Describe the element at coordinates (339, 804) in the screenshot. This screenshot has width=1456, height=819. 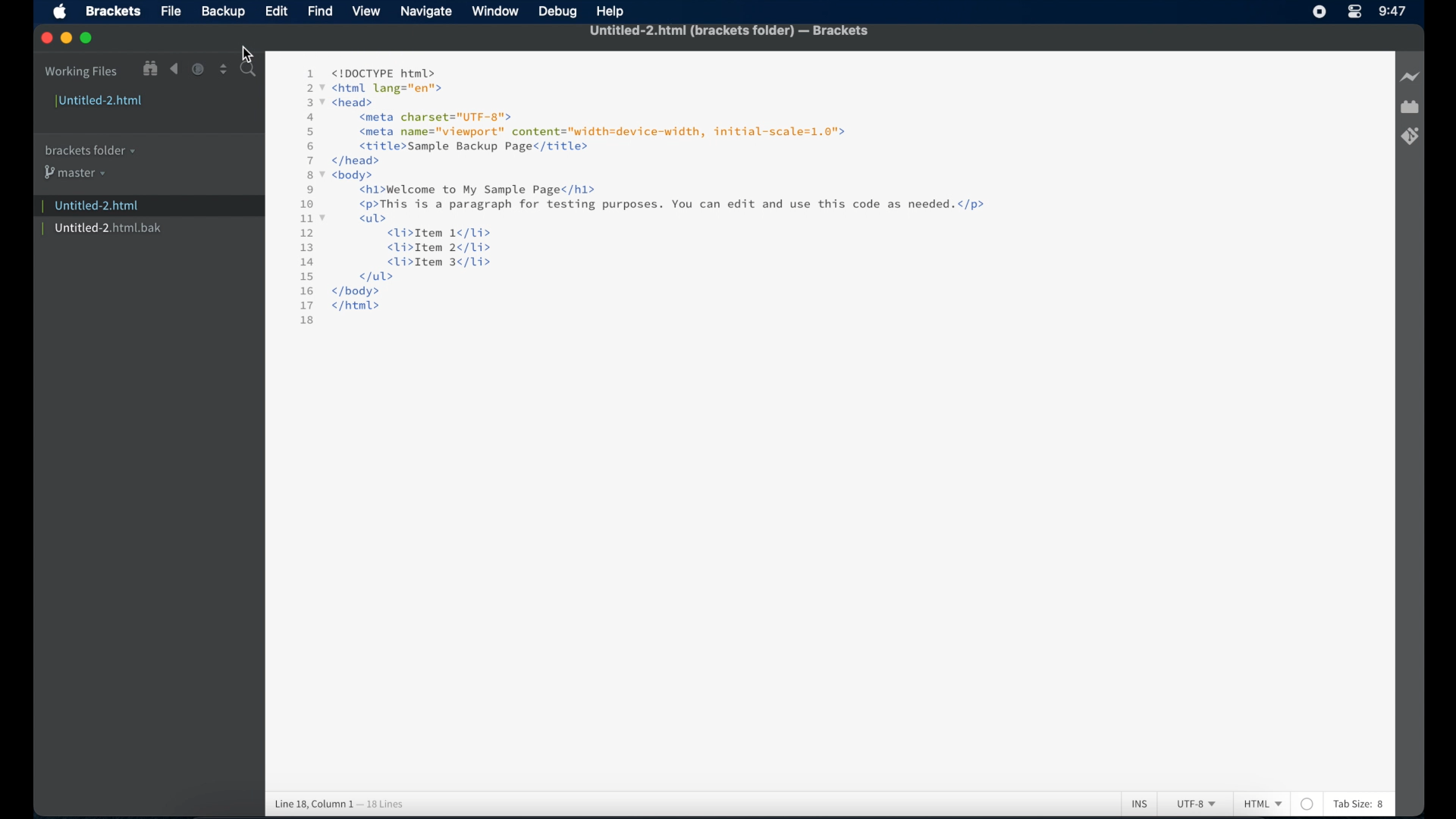
I see `line 18, column 1 - 18 lines` at that location.